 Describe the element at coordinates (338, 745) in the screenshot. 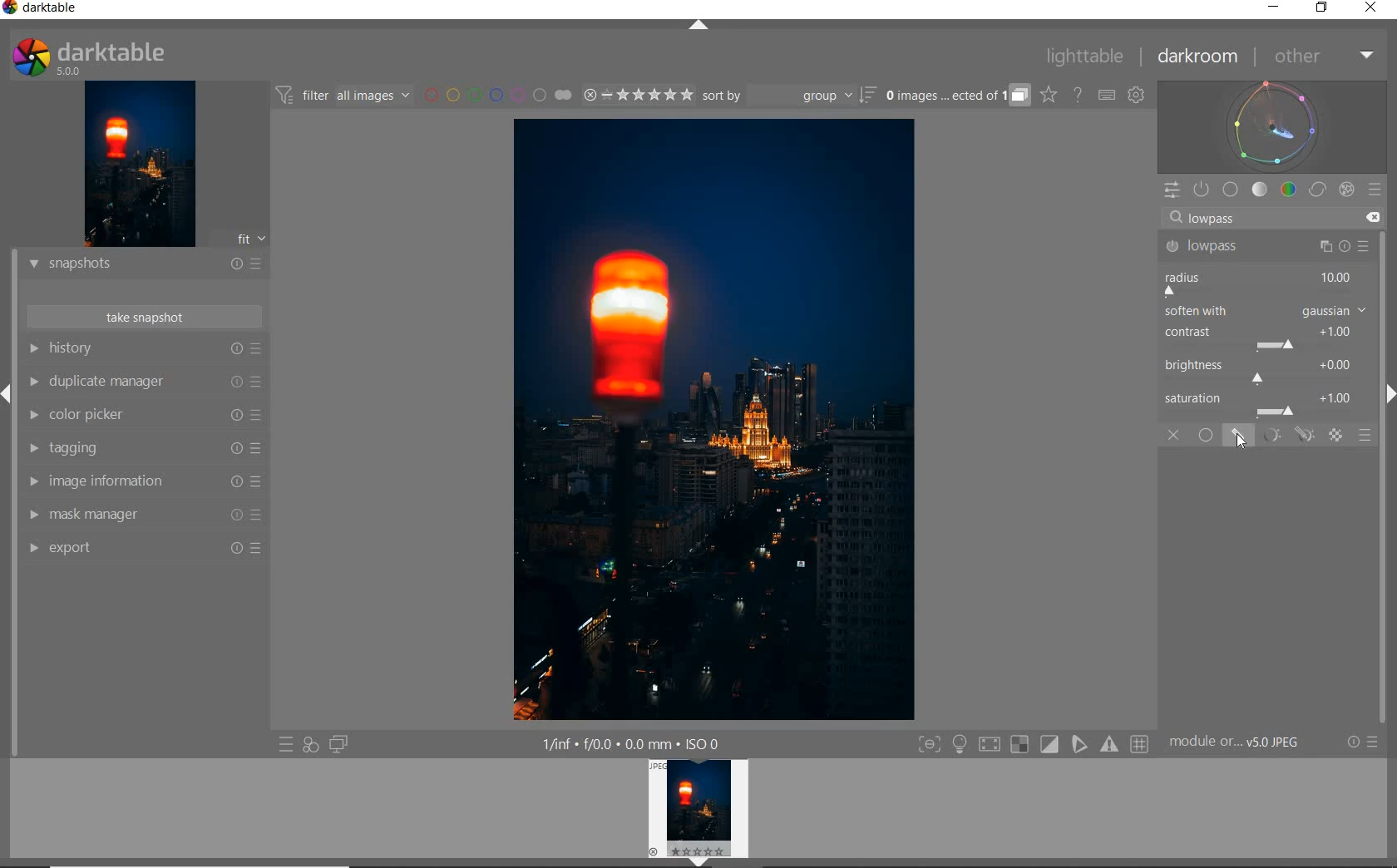

I see `DISPLAY A SECOND DARKROOM IMAGE WINDOW` at that location.